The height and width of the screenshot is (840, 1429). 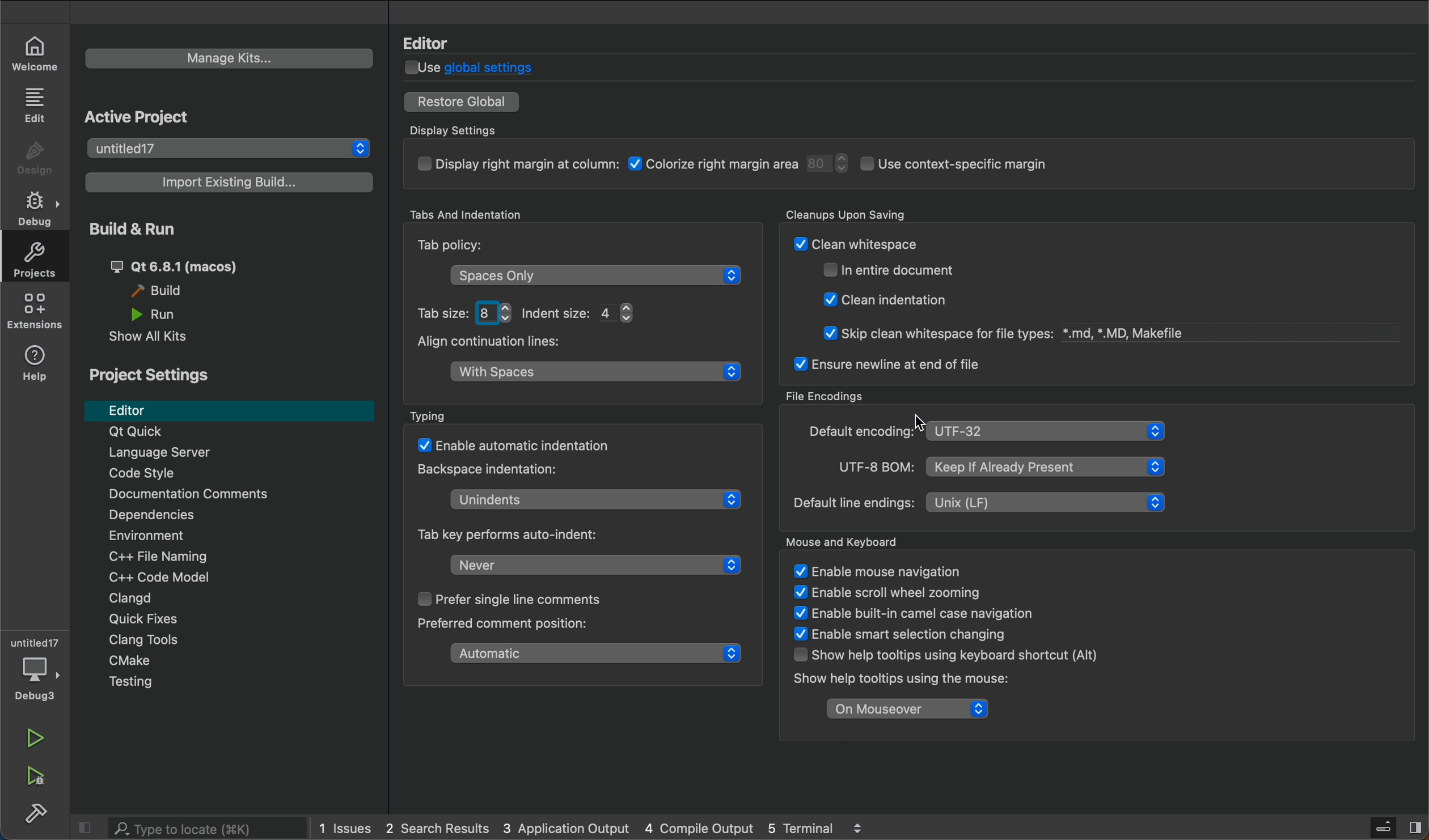 What do you see at coordinates (491, 473) in the screenshot?
I see `Backspace indentation` at bounding box center [491, 473].